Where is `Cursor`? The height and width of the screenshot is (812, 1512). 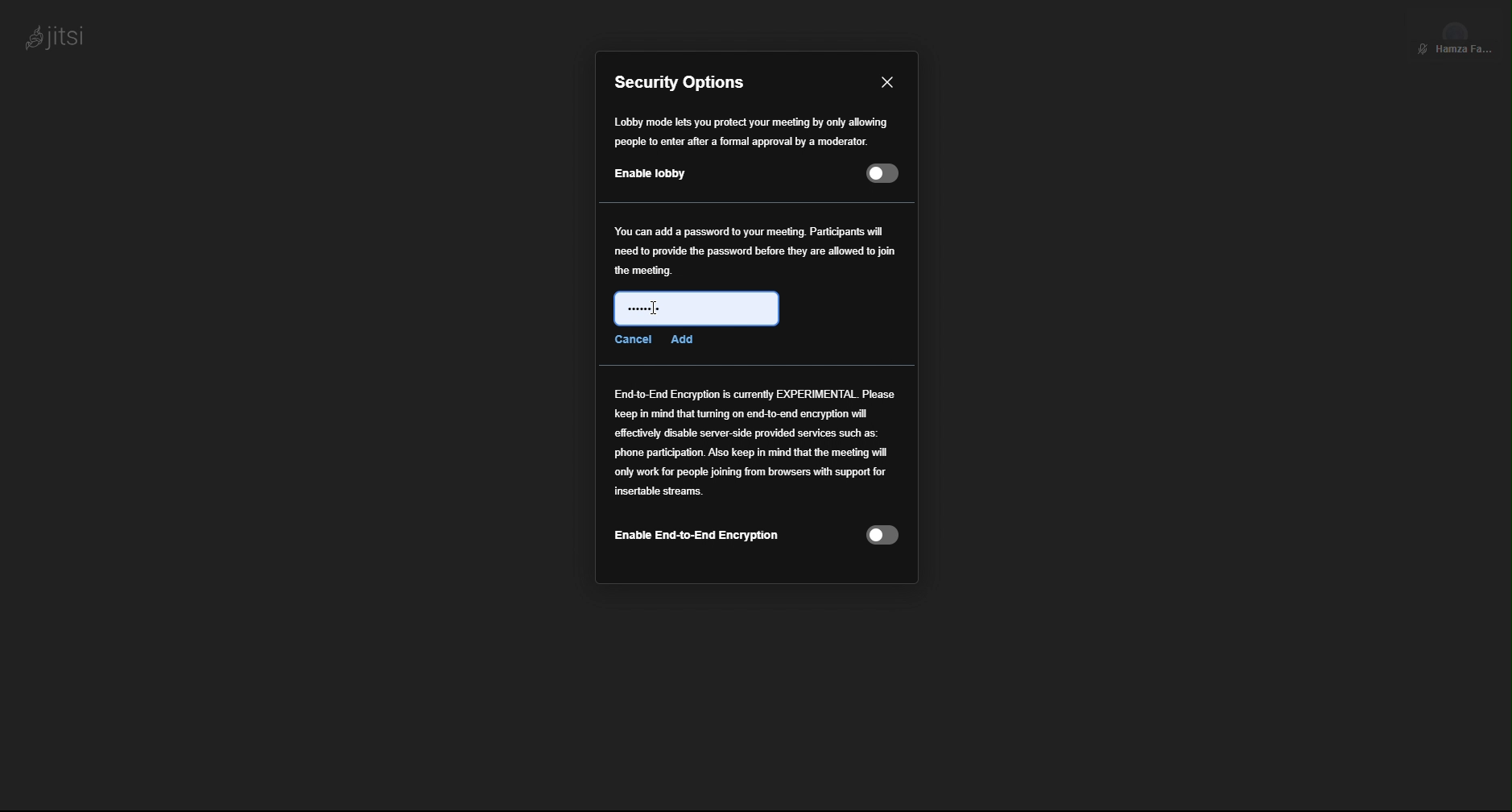
Cursor is located at coordinates (653, 305).